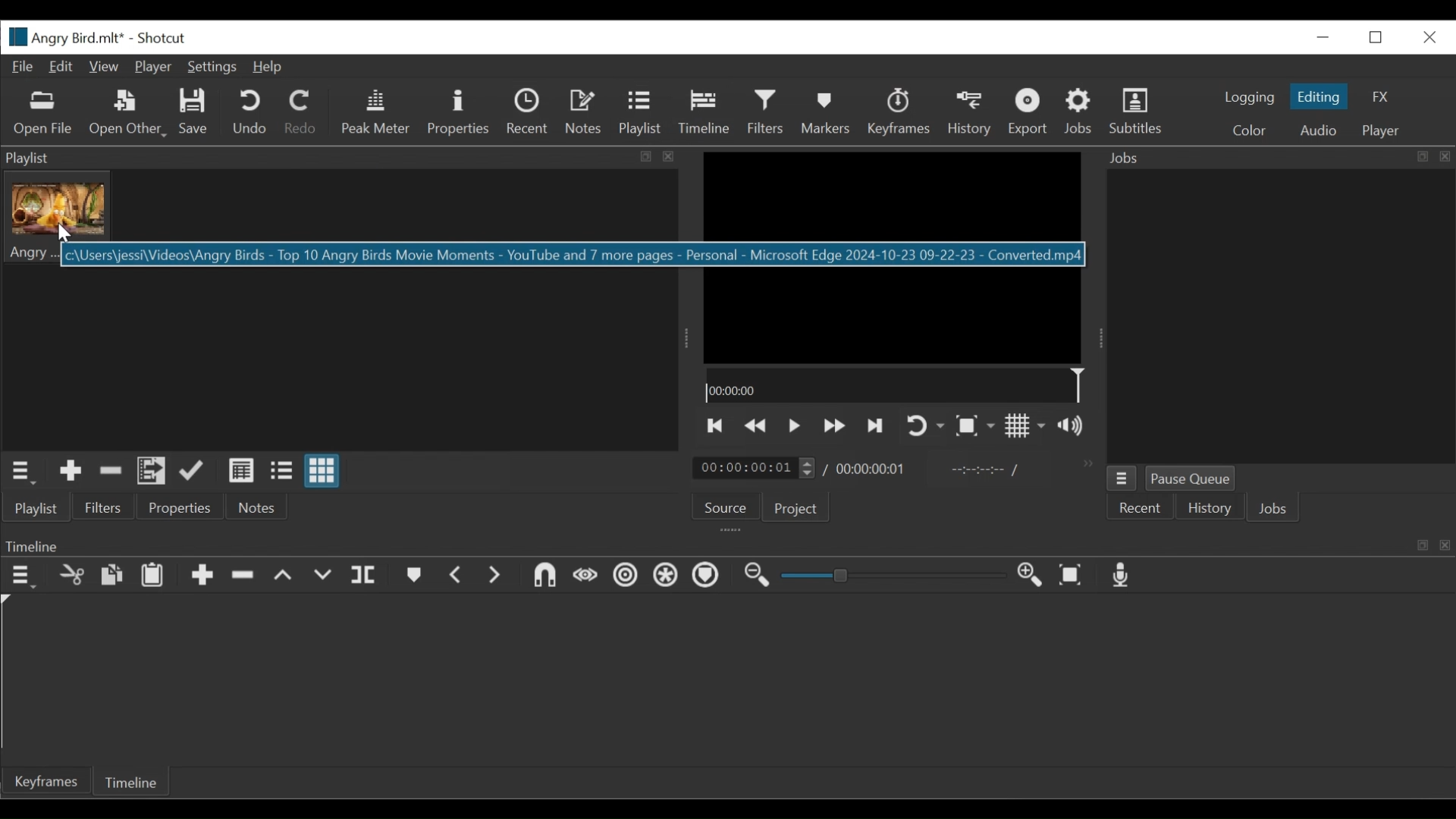 The height and width of the screenshot is (819, 1456). Describe the element at coordinates (573, 254) in the screenshot. I see `File Path` at that location.